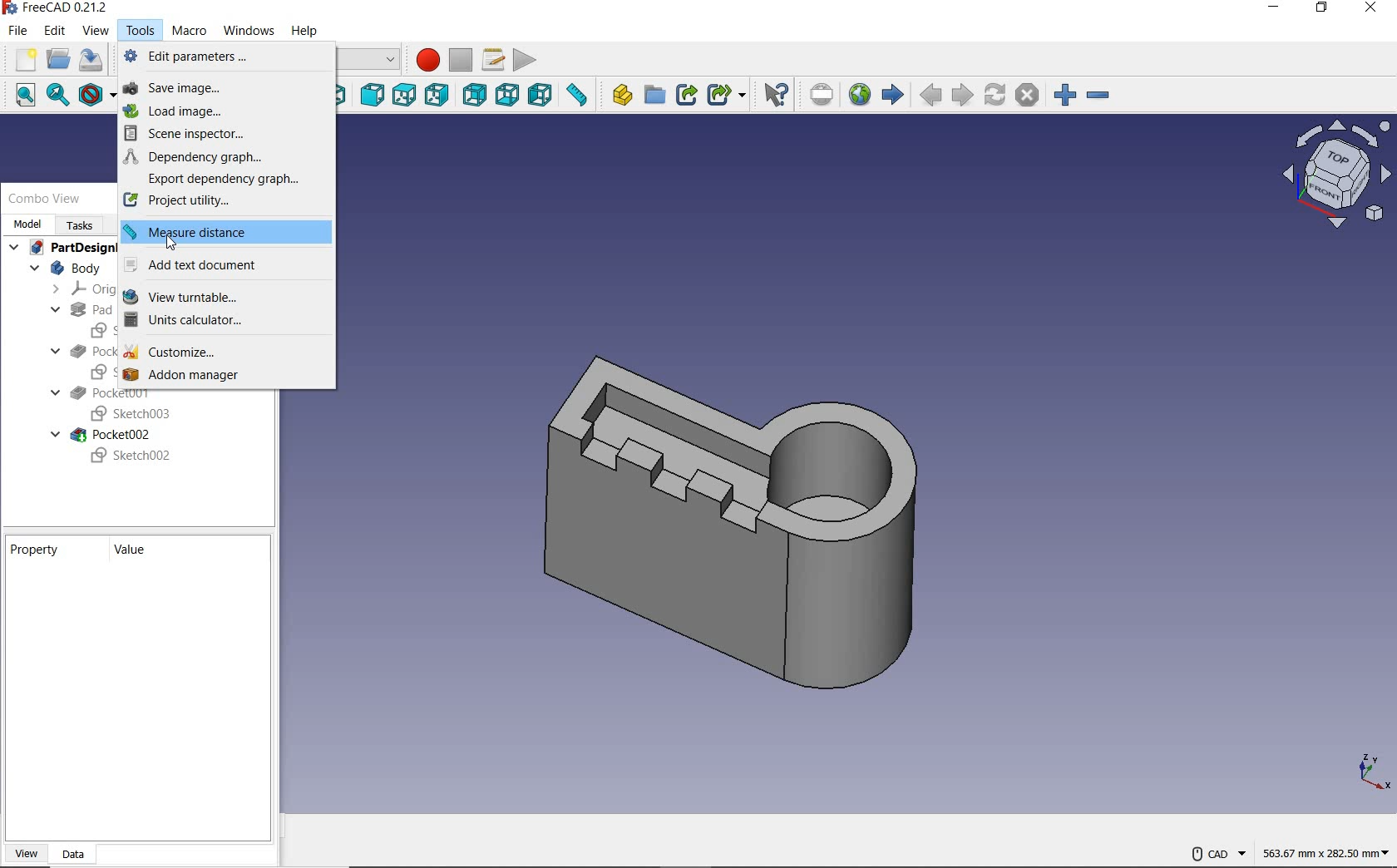 The image size is (1397, 868). Describe the element at coordinates (225, 201) in the screenshot. I see `PROJECT UTILITY` at that location.